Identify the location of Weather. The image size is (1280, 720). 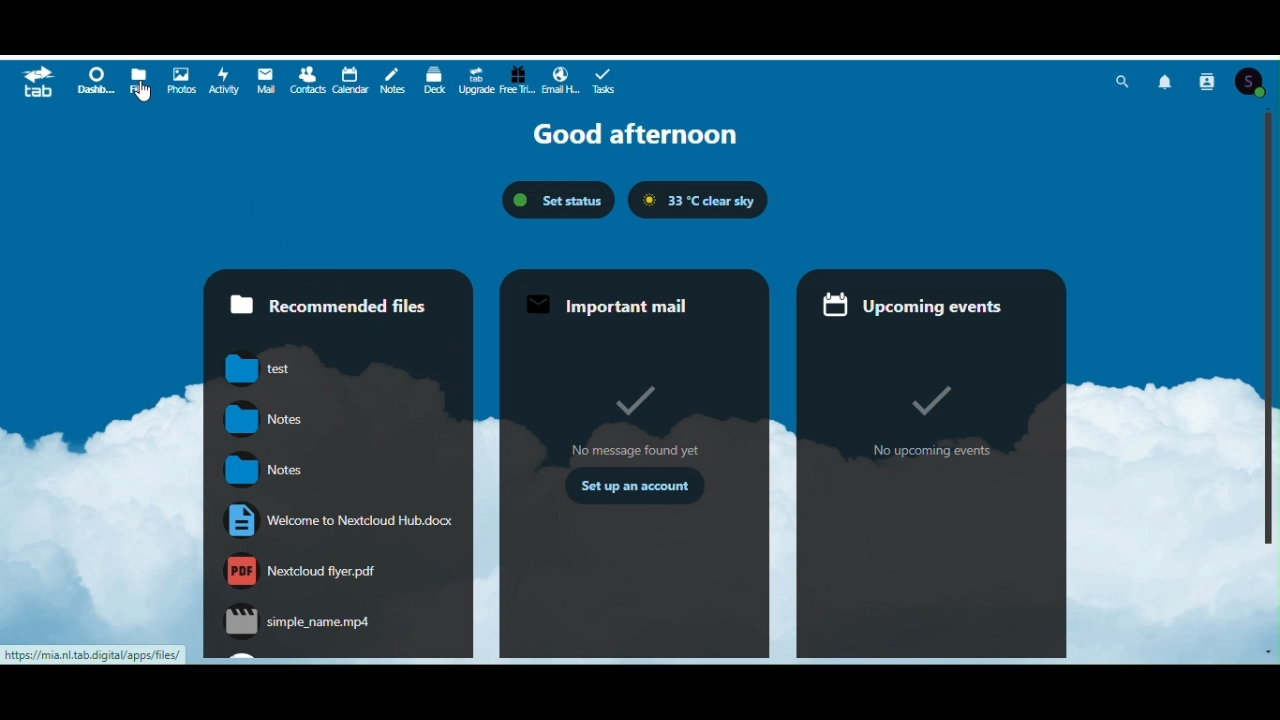
(700, 200).